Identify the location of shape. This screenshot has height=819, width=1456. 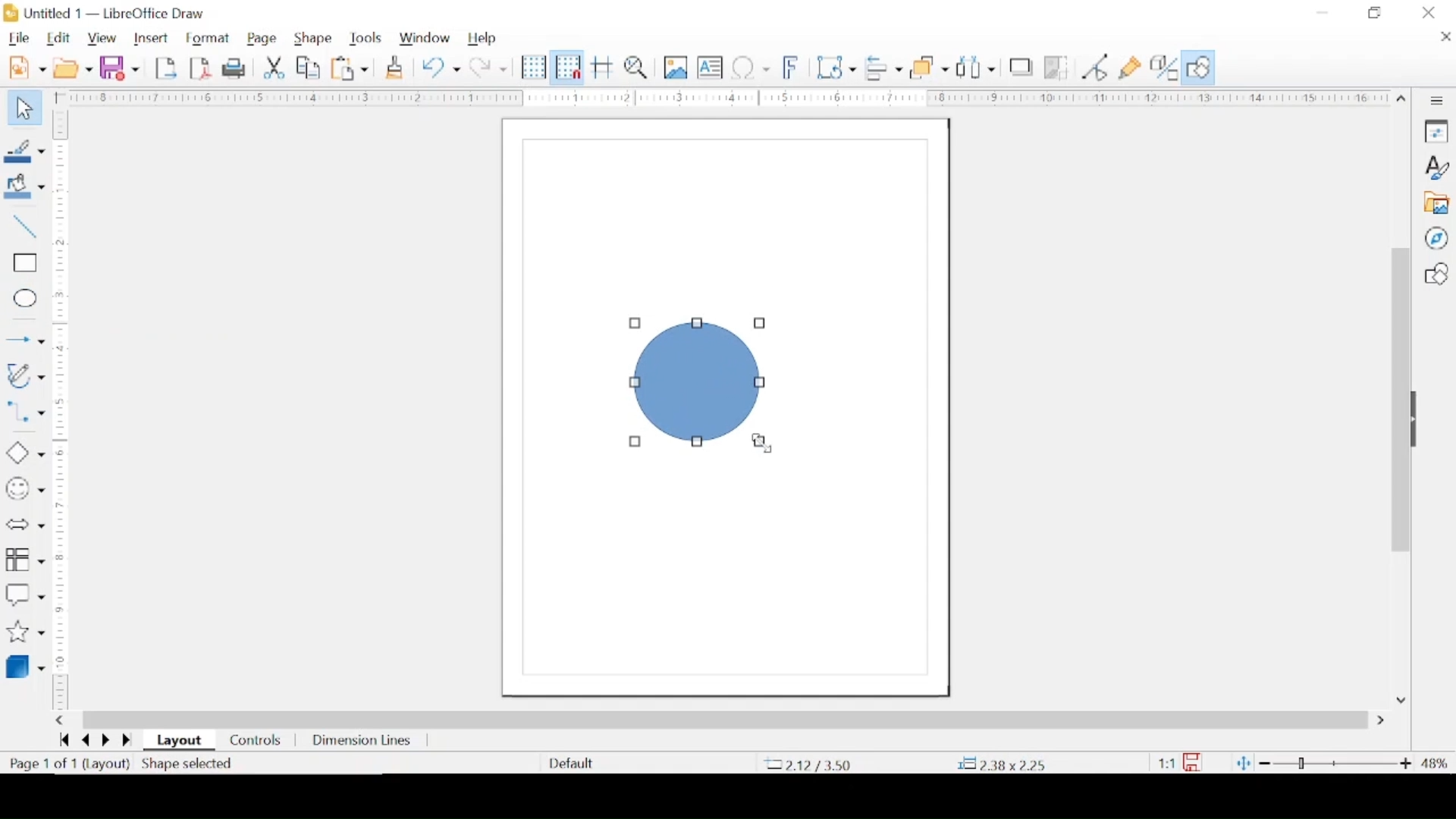
(315, 39).